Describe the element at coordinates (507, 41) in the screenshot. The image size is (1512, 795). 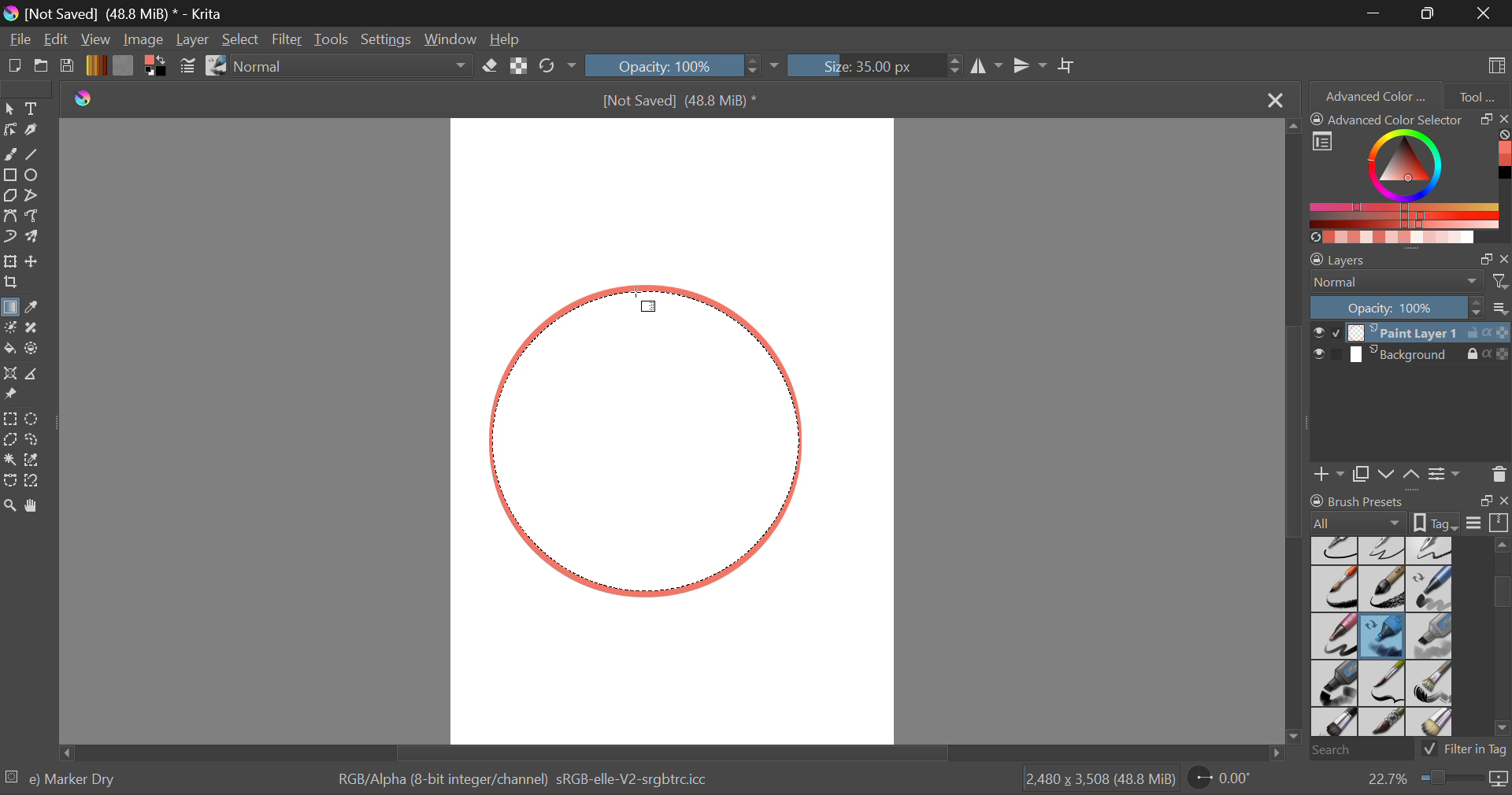
I see `Help` at that location.